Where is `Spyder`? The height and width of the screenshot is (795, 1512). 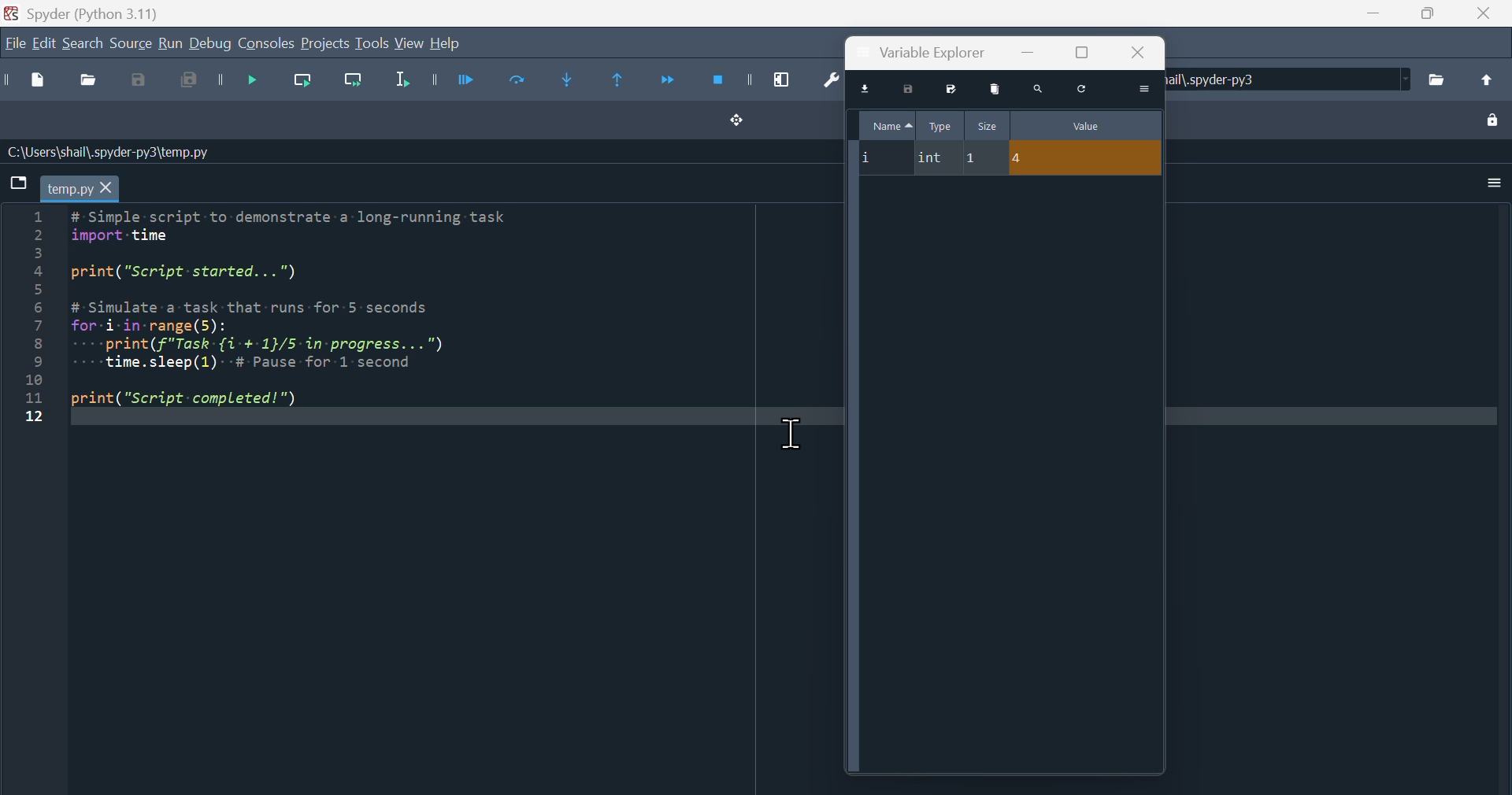
Spyder is located at coordinates (117, 12).